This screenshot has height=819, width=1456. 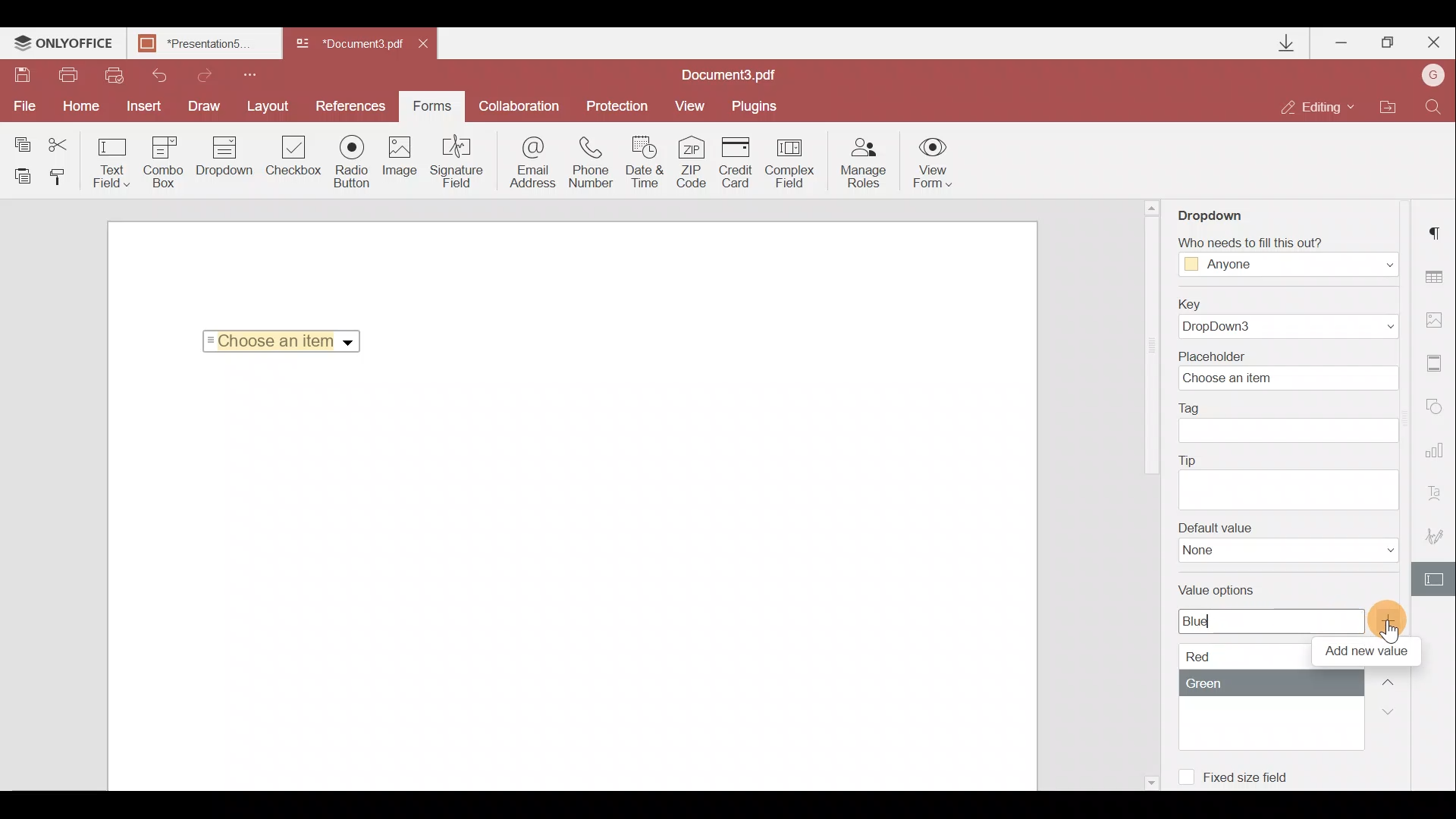 I want to click on Table settings, so click(x=1441, y=277).